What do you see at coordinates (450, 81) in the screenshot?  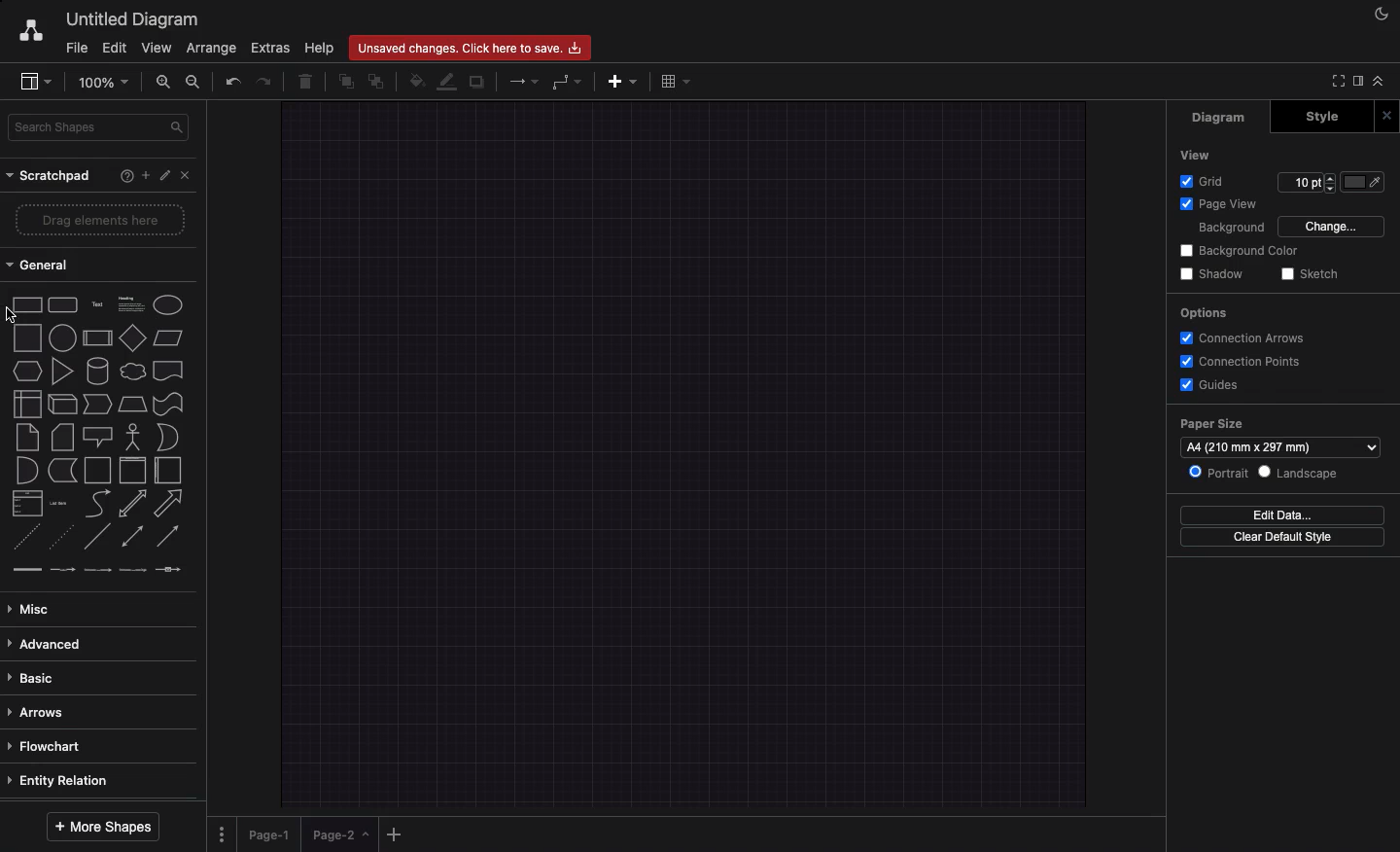 I see `Line color` at bounding box center [450, 81].